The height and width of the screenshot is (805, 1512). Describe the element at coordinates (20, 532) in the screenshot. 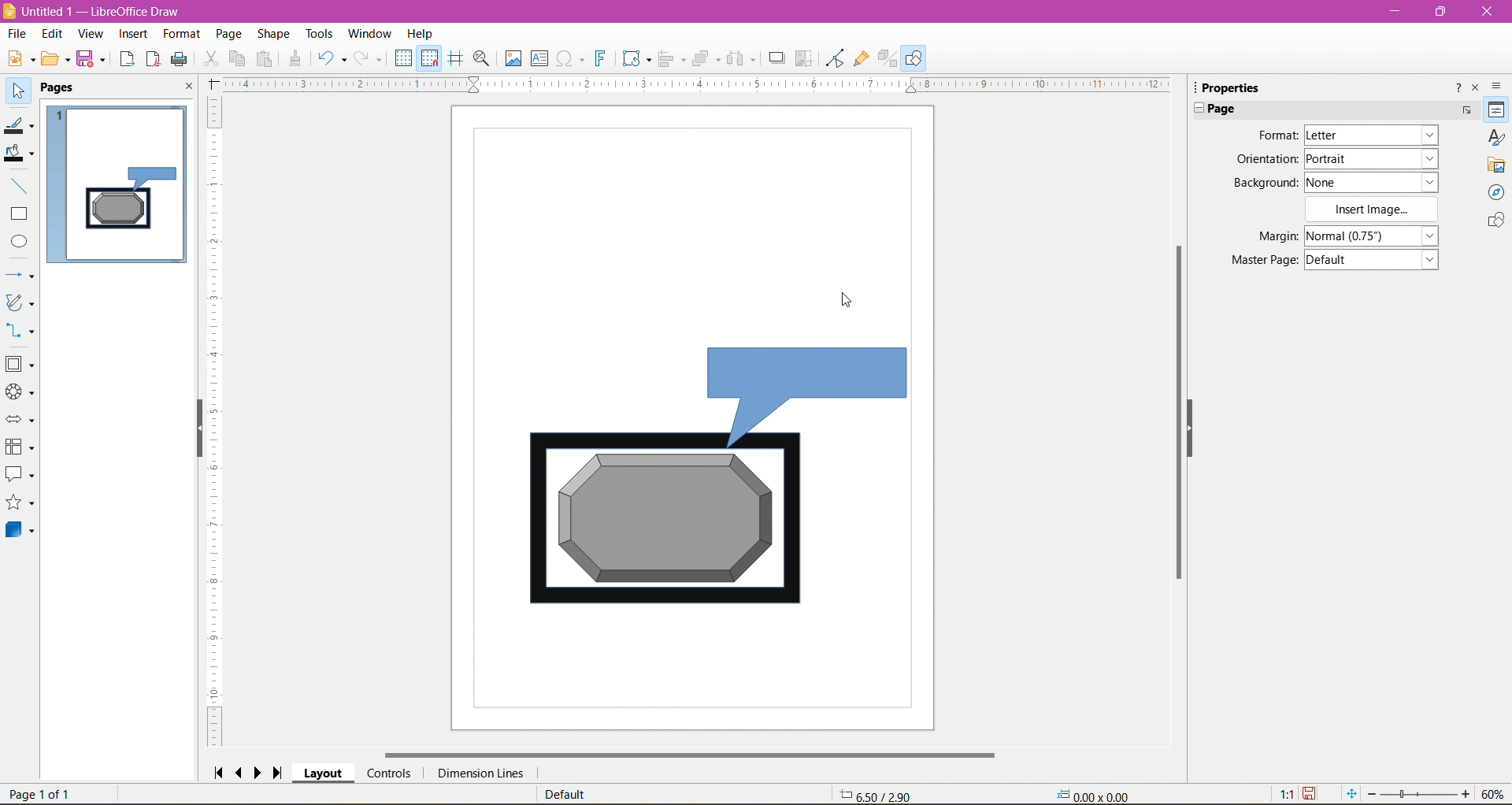

I see `3D Objects` at that location.